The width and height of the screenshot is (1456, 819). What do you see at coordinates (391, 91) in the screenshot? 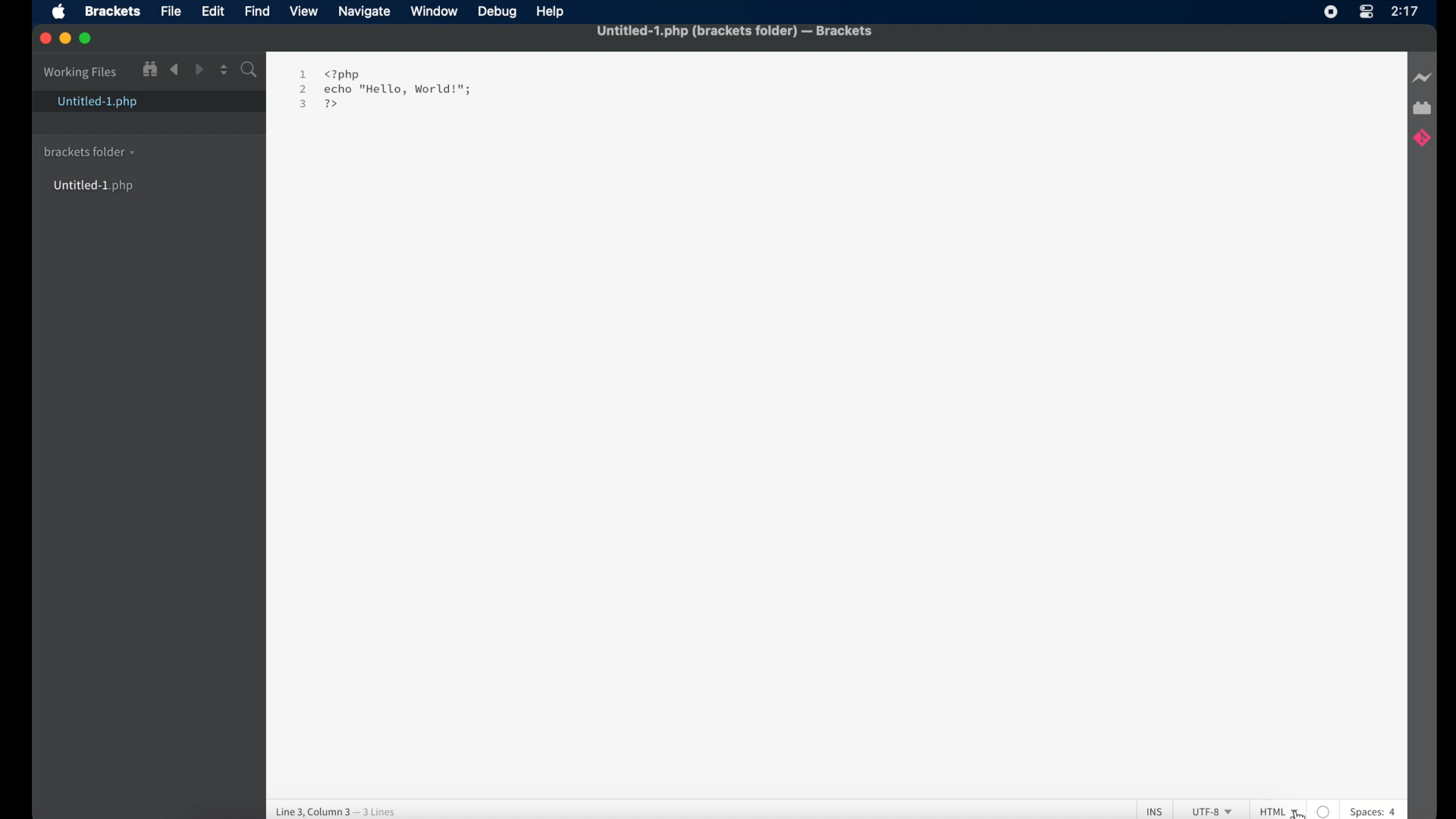
I see `1 <?php
2 echo "Hello, World!";
3 [4d` at bounding box center [391, 91].